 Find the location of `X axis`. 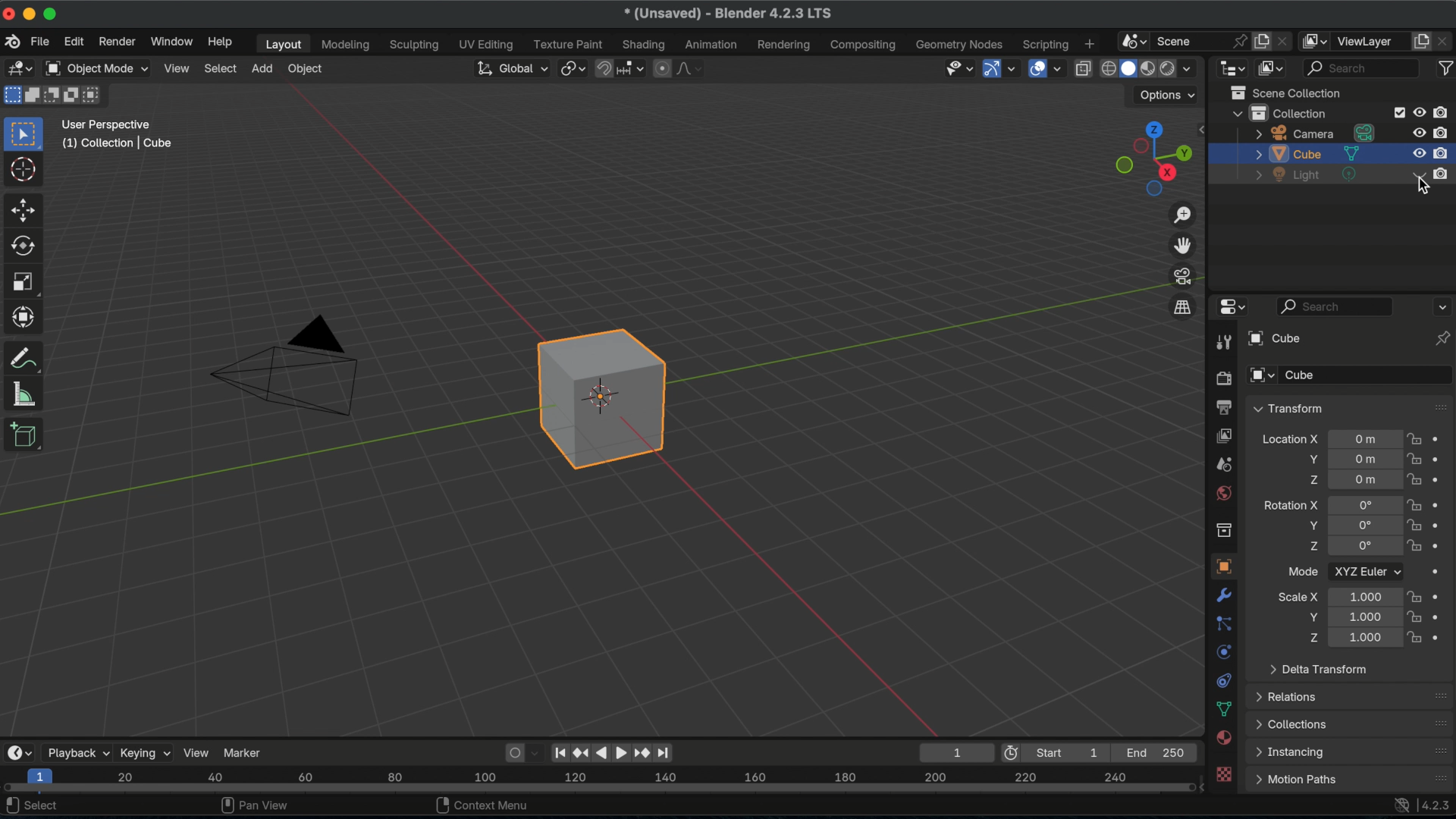

X axis is located at coordinates (422, 196).